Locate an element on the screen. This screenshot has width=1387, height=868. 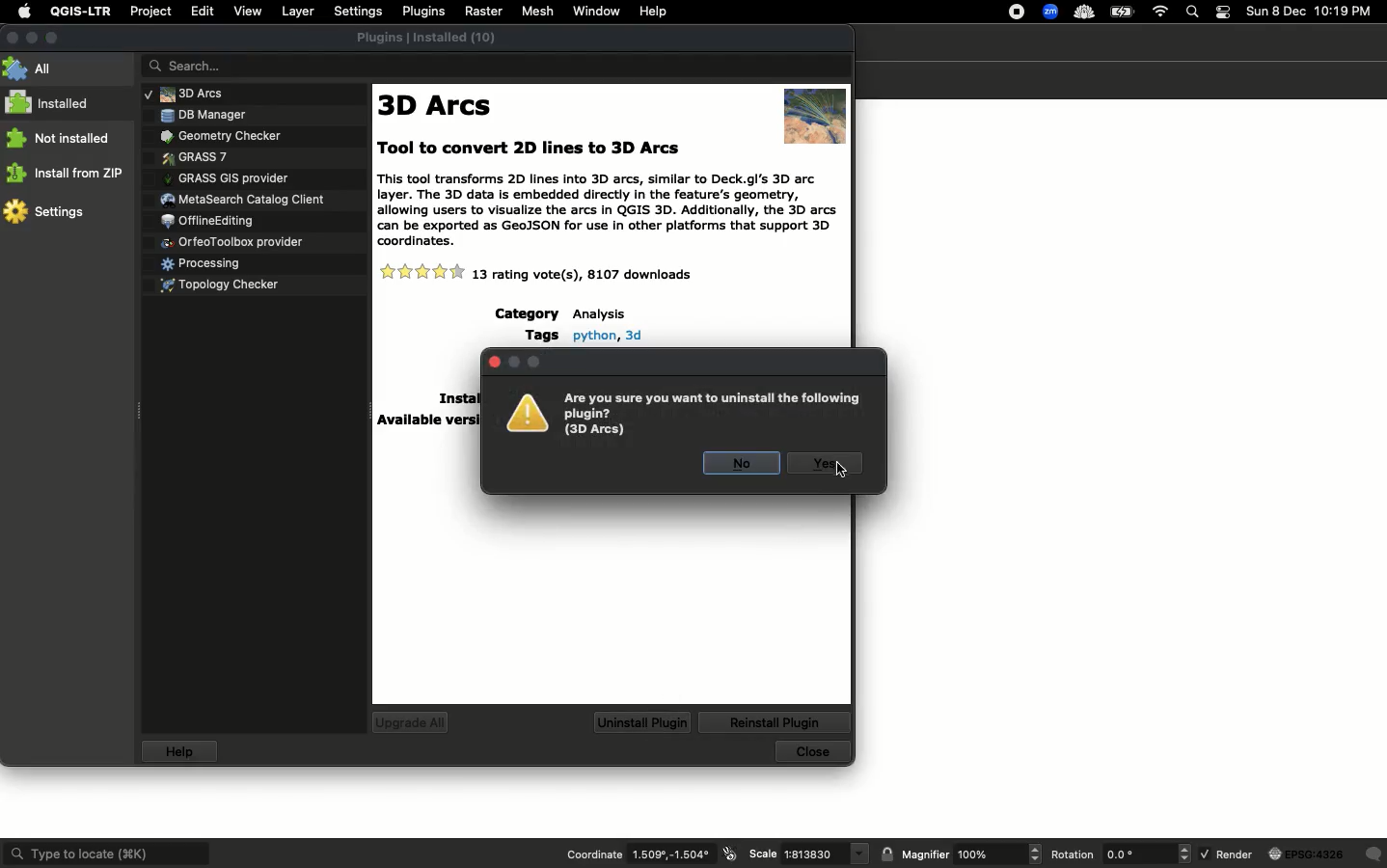
Rotation is located at coordinates (1122, 855).